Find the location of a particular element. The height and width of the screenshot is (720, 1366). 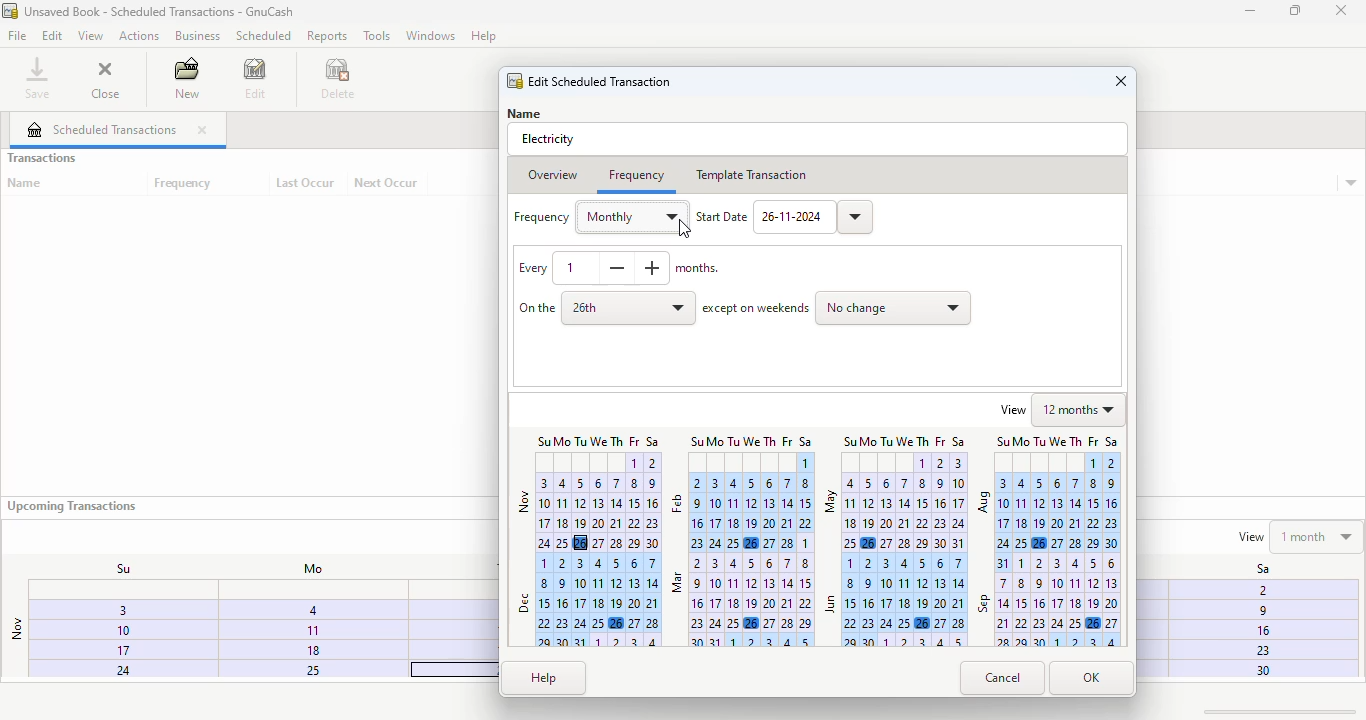

9 is located at coordinates (1258, 613).